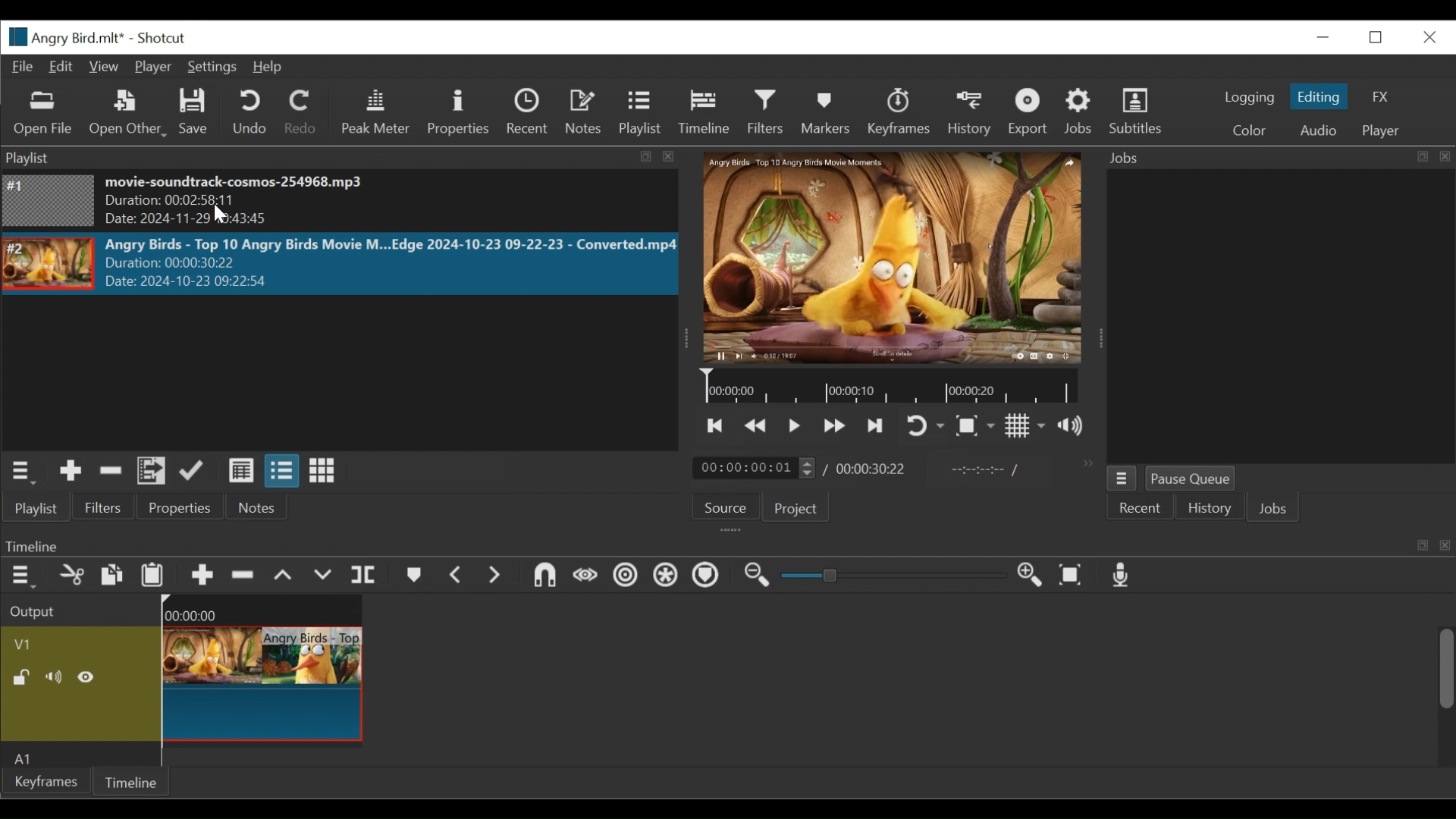 This screenshot has height=819, width=1456. I want to click on Edit, so click(61, 66).